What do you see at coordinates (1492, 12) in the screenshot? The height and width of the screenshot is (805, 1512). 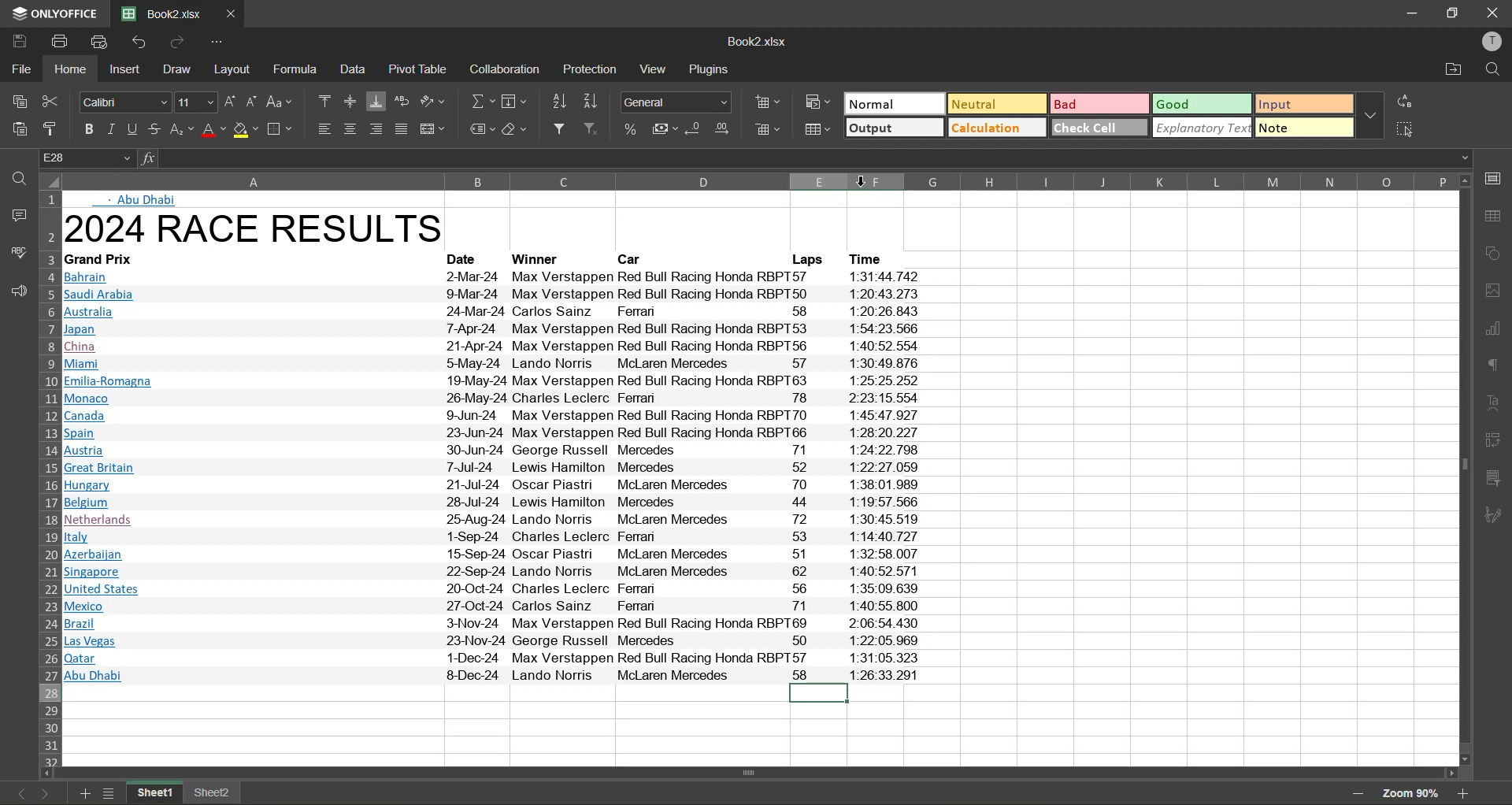 I see `close` at bounding box center [1492, 12].